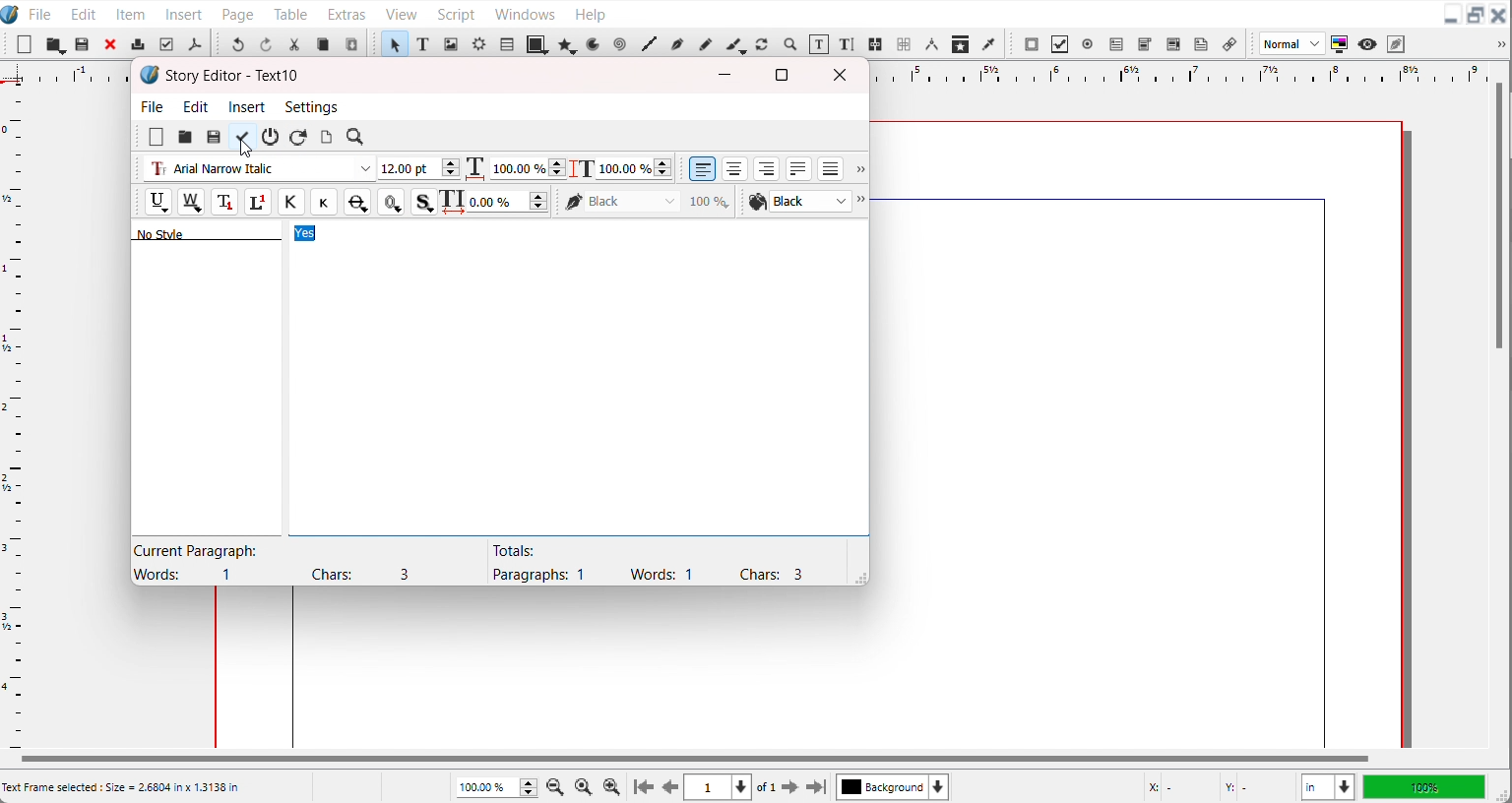  What do you see at coordinates (1499, 16) in the screenshot?
I see `Close` at bounding box center [1499, 16].